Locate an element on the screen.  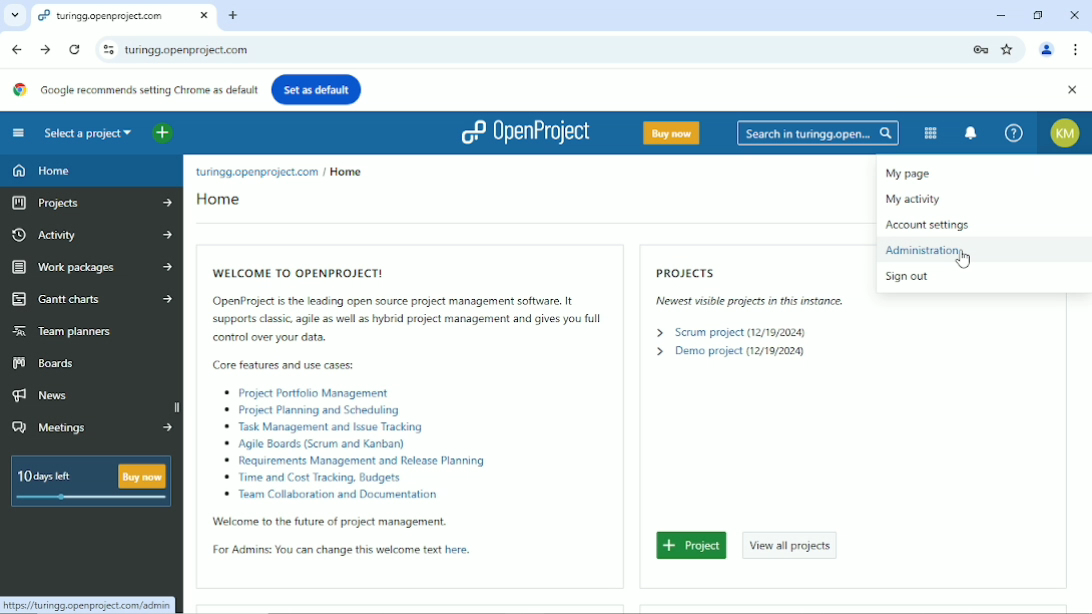
My activity is located at coordinates (917, 198).